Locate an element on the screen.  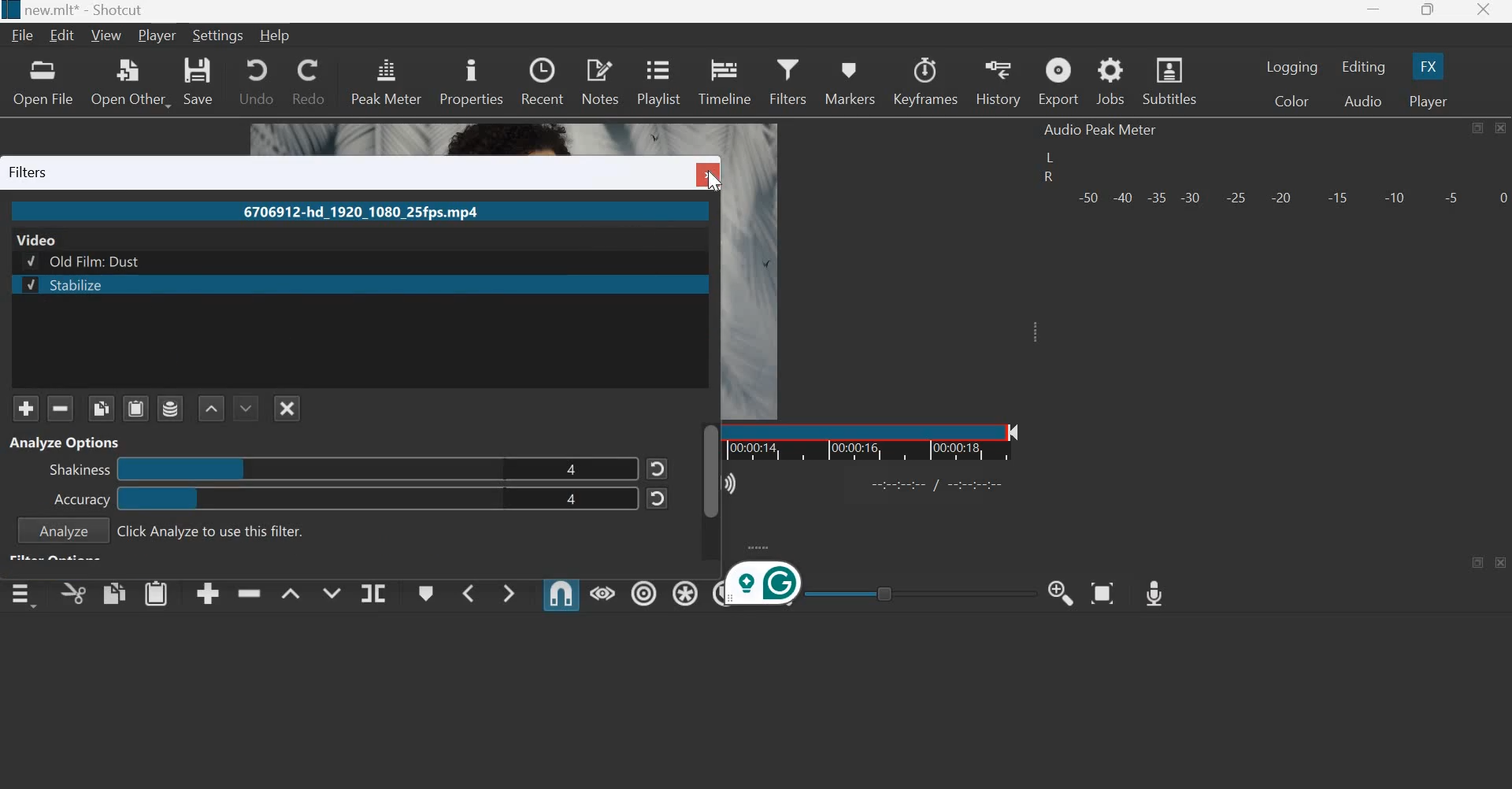
ripple delete is located at coordinates (249, 592).